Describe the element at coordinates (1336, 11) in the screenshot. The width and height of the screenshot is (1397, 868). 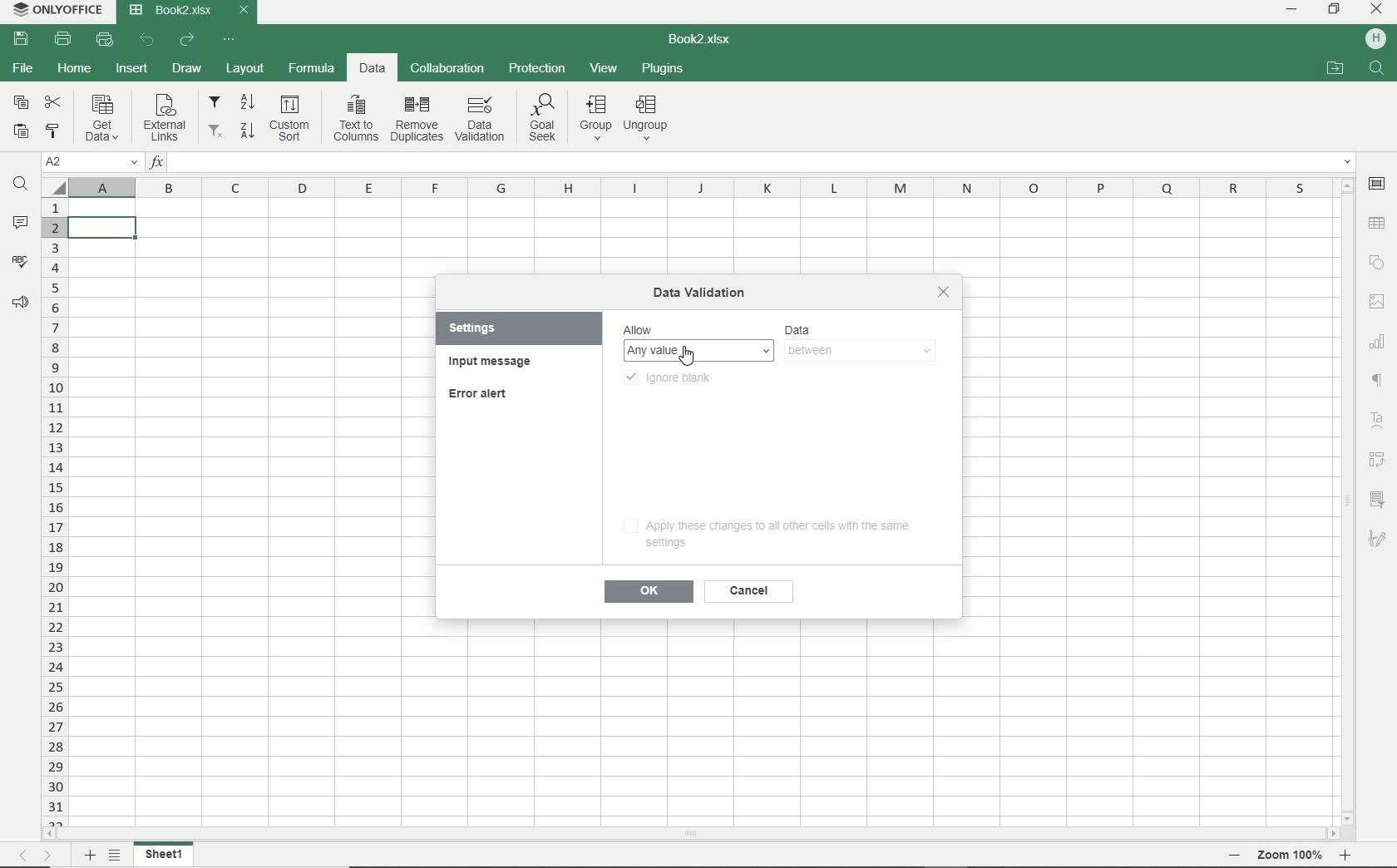
I see `RESTORE DOWN` at that location.